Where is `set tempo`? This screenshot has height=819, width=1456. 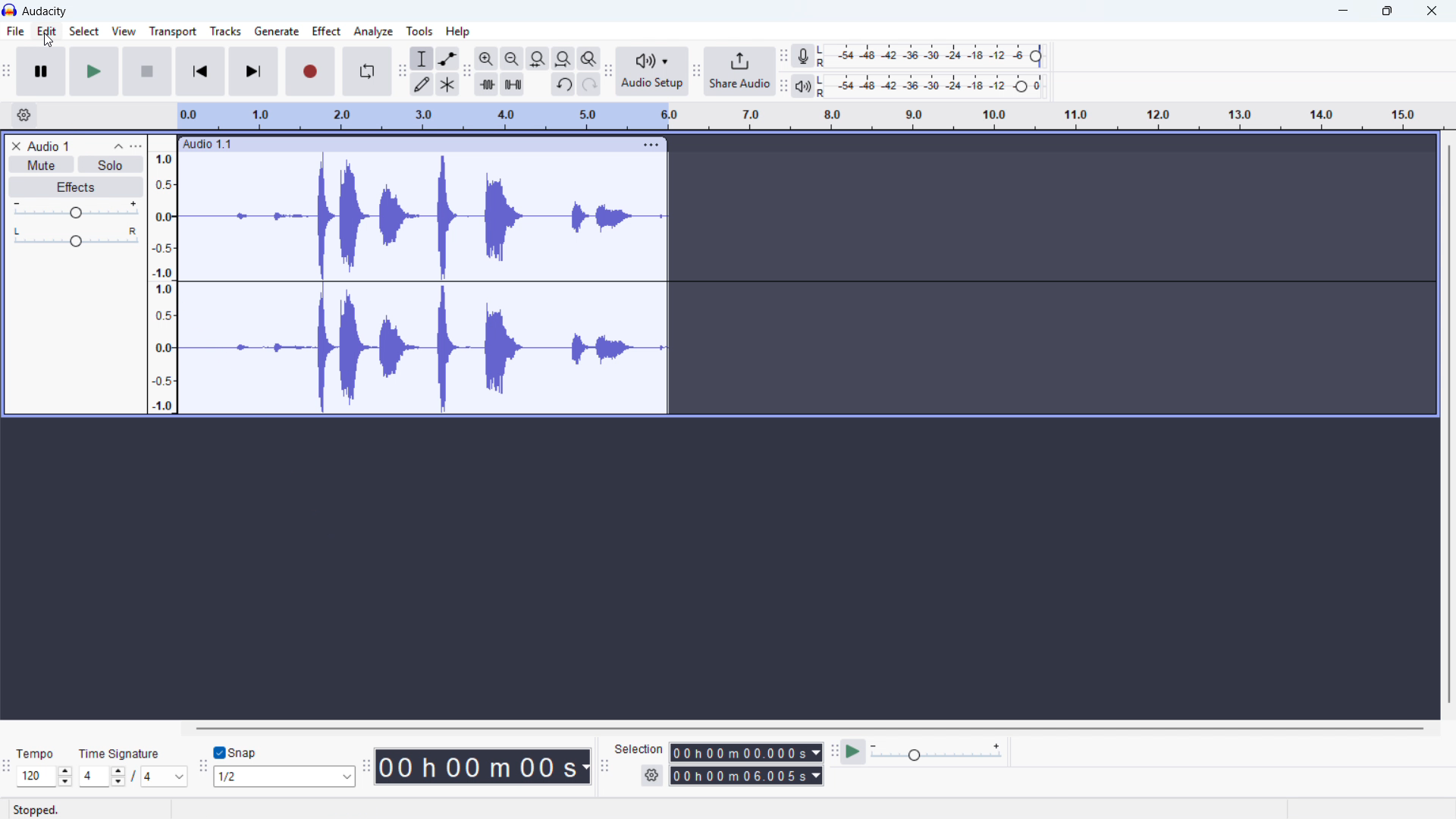
set tempo is located at coordinates (45, 777).